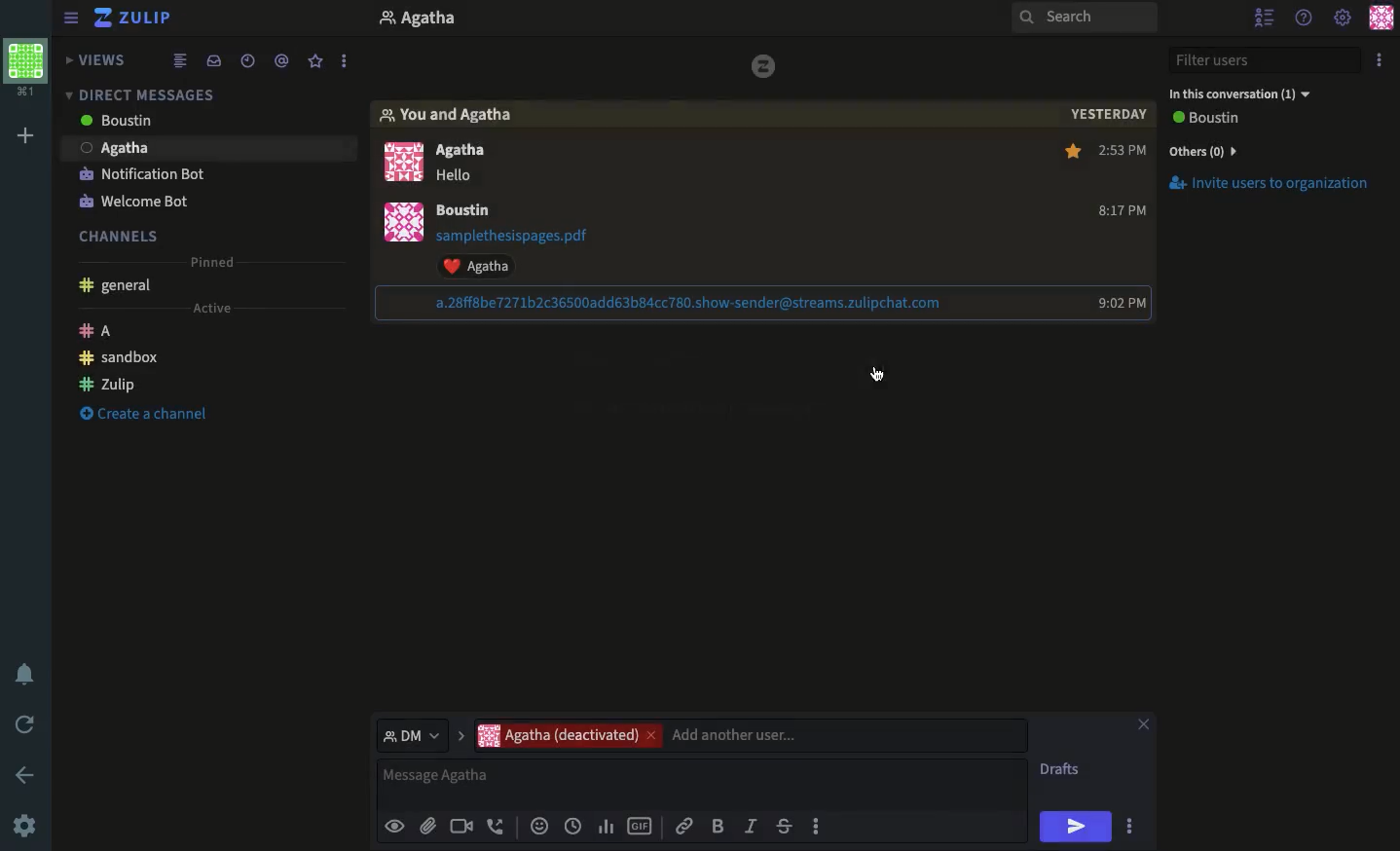 The width and height of the screenshot is (1400, 851). I want to click on Hide users list, so click(1264, 16).